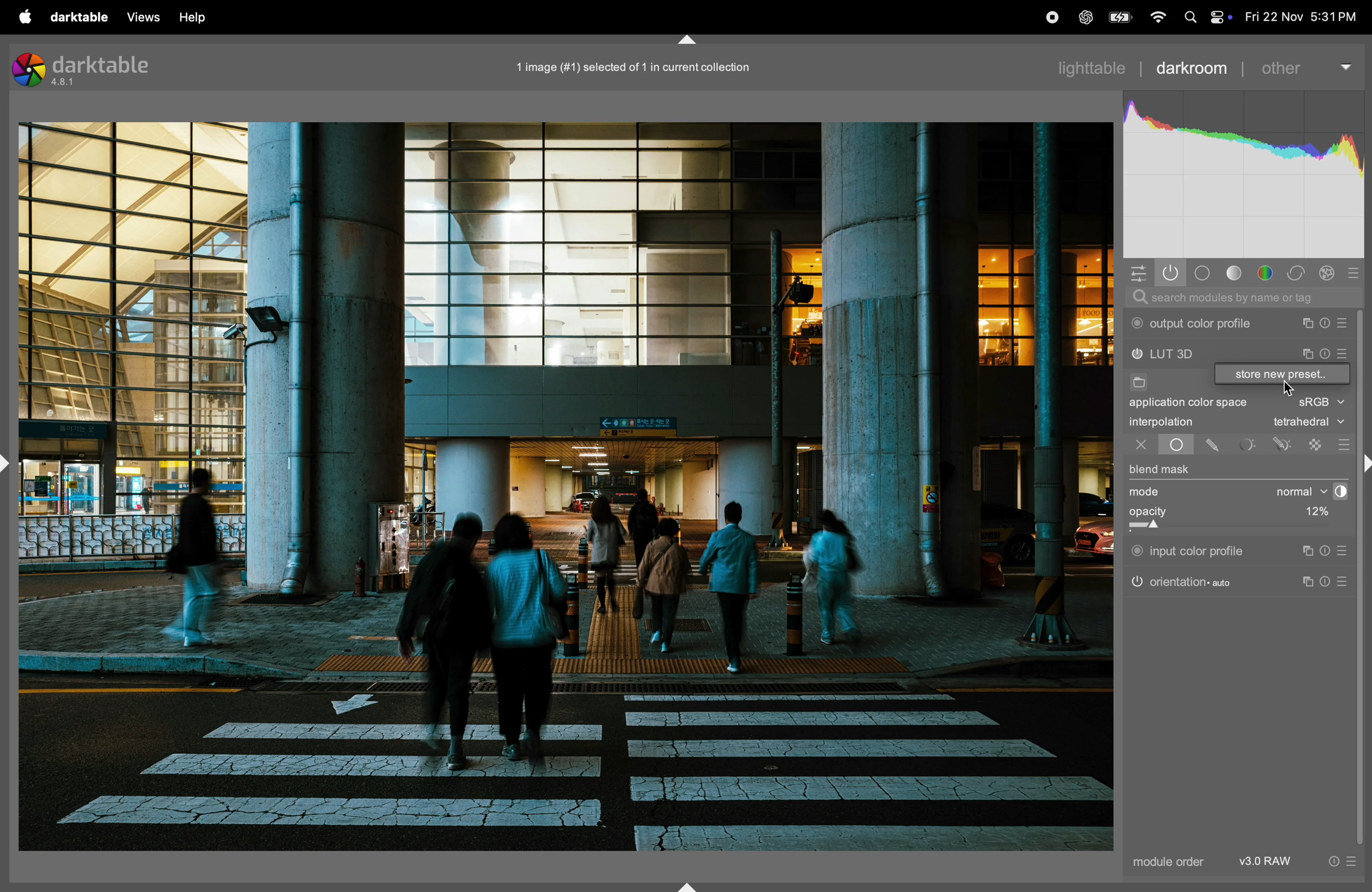  What do you see at coordinates (1329, 273) in the screenshot?
I see `correct` at bounding box center [1329, 273].